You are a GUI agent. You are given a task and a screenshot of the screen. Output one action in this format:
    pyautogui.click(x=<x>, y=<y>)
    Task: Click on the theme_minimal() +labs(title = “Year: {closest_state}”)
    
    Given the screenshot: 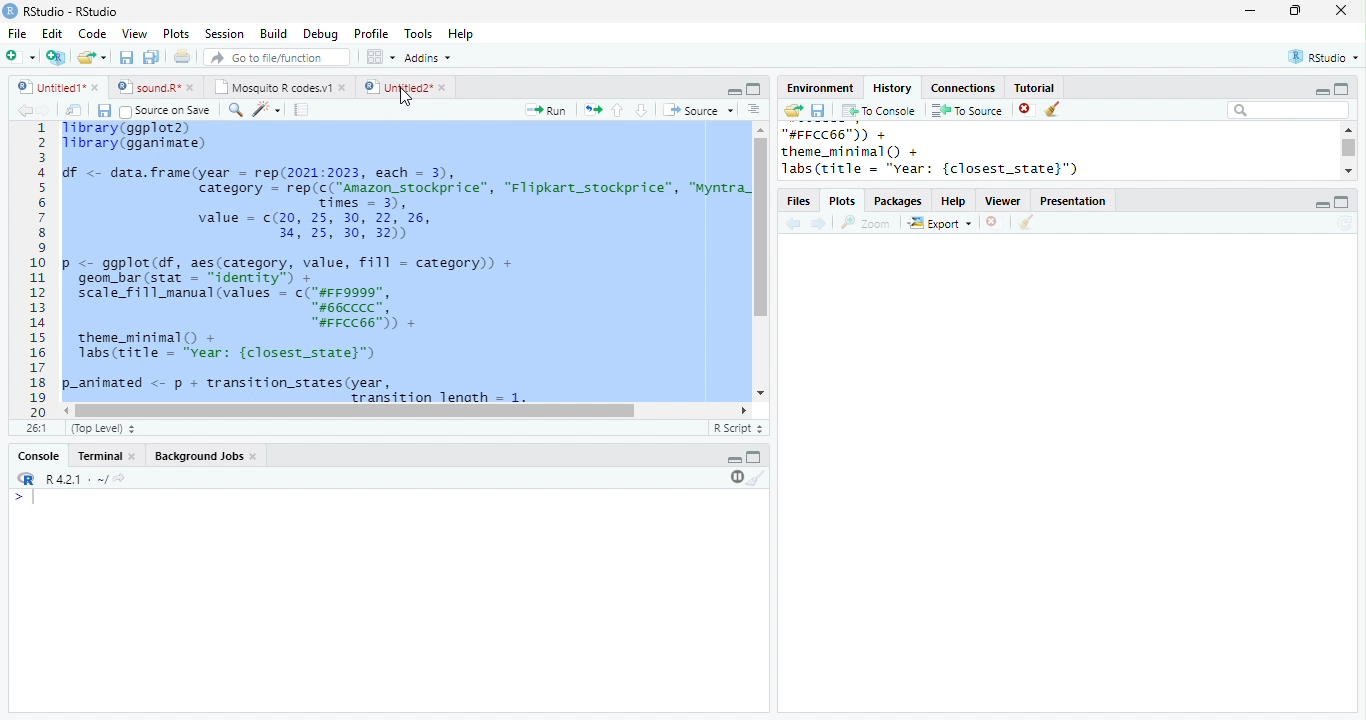 What is the action you would take?
    pyautogui.click(x=235, y=347)
    